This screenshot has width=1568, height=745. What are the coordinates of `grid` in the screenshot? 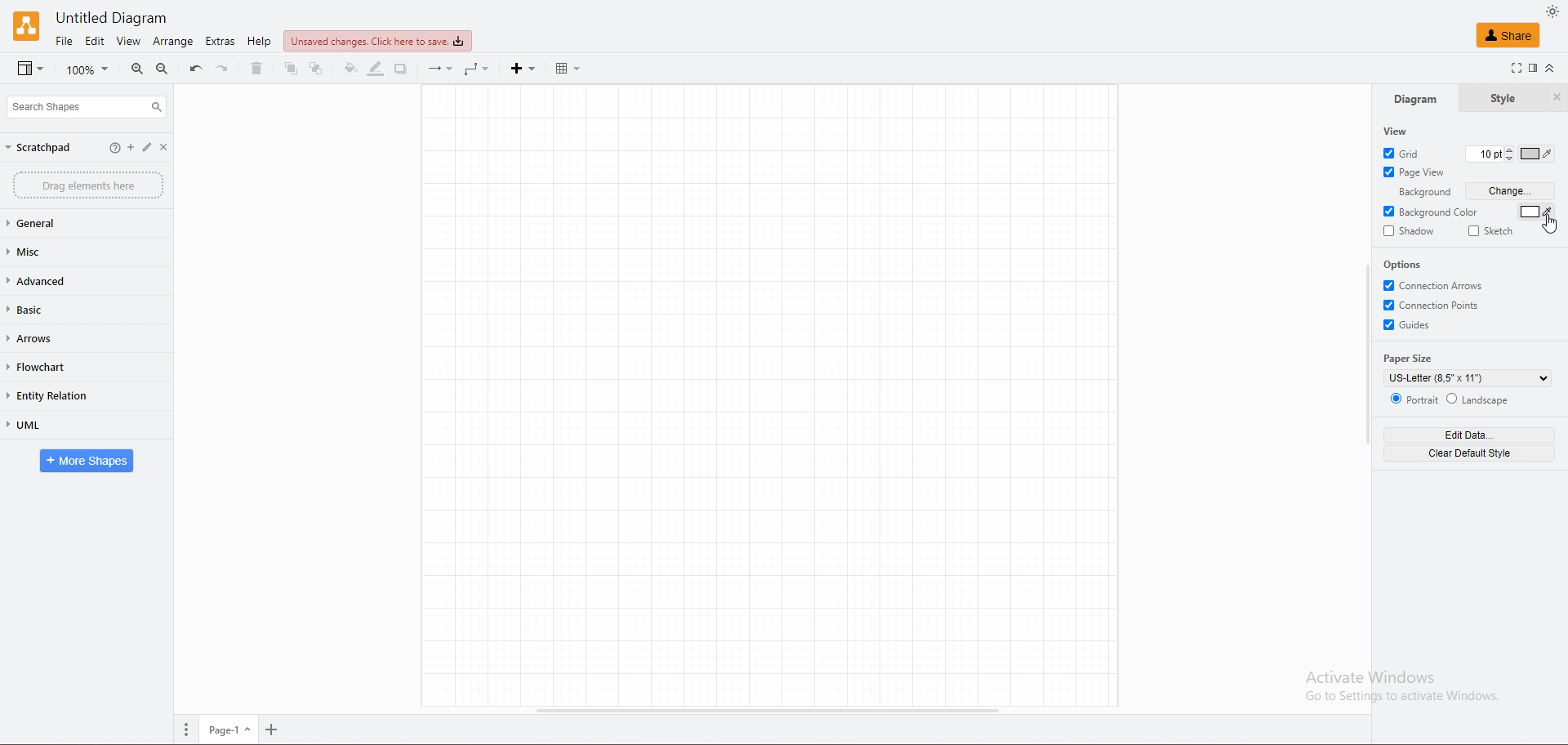 It's located at (1404, 153).